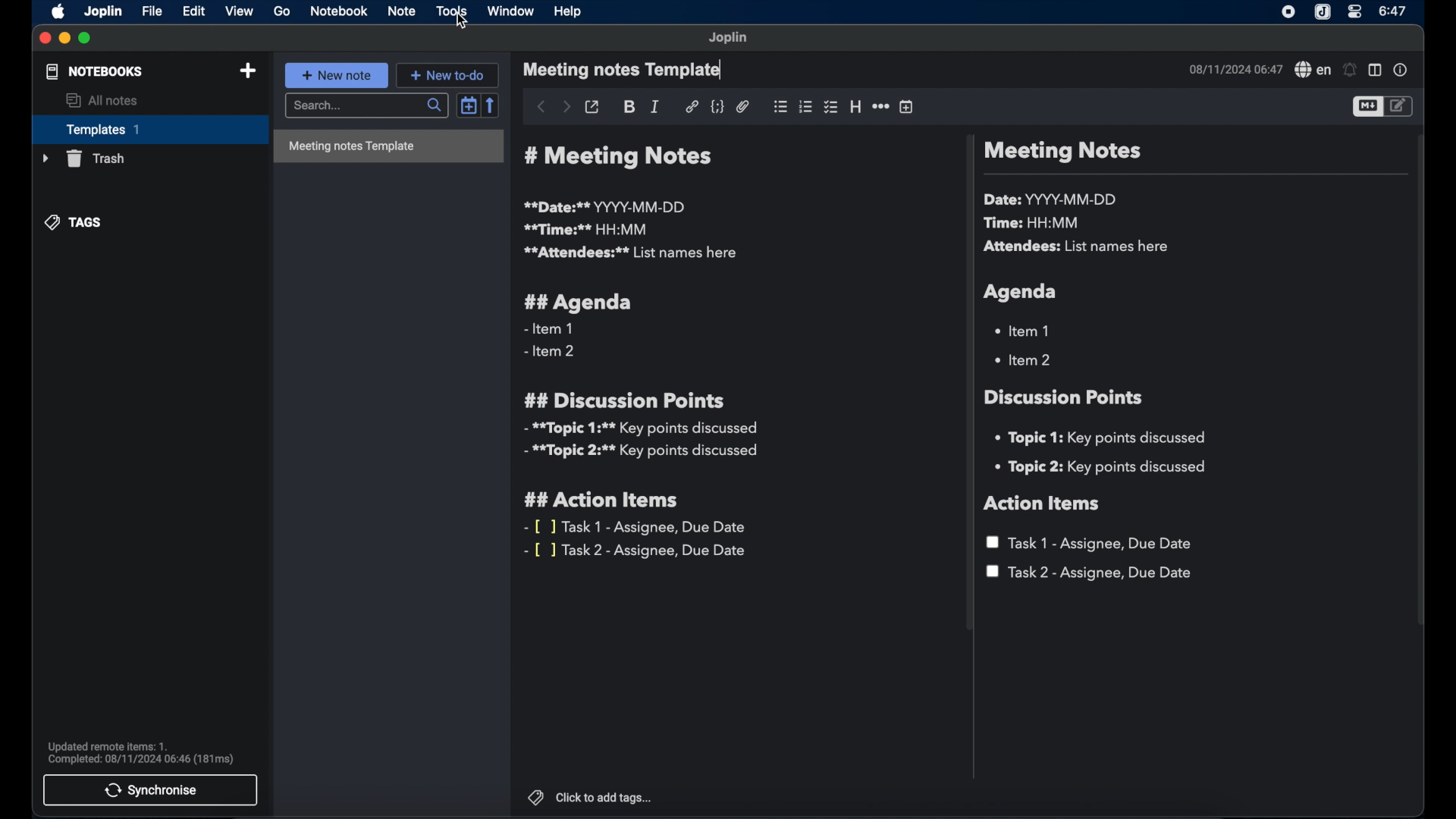 This screenshot has height=819, width=1456. Describe the element at coordinates (629, 108) in the screenshot. I see `bold` at that location.